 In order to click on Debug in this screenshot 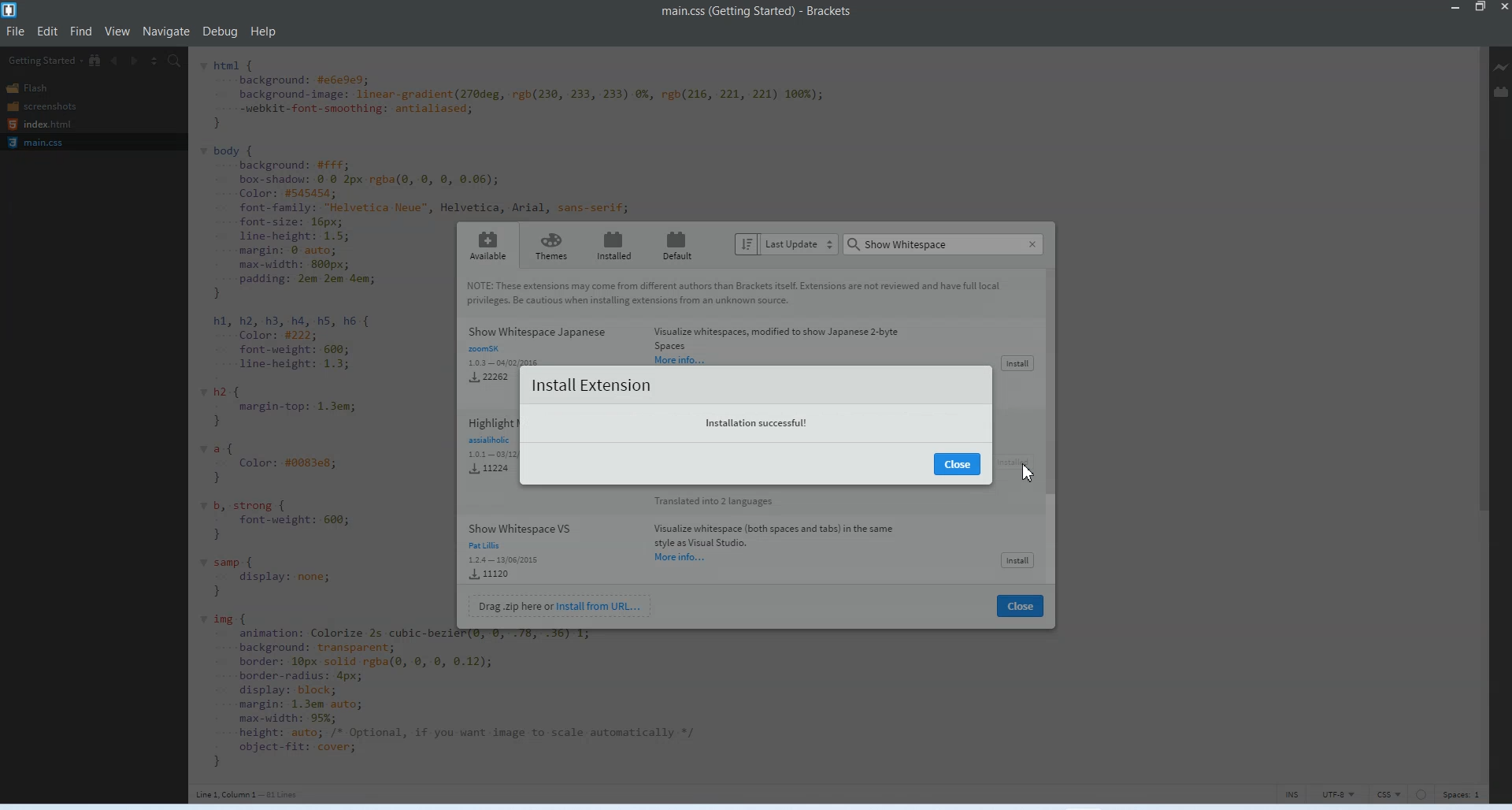, I will do `click(221, 33)`.